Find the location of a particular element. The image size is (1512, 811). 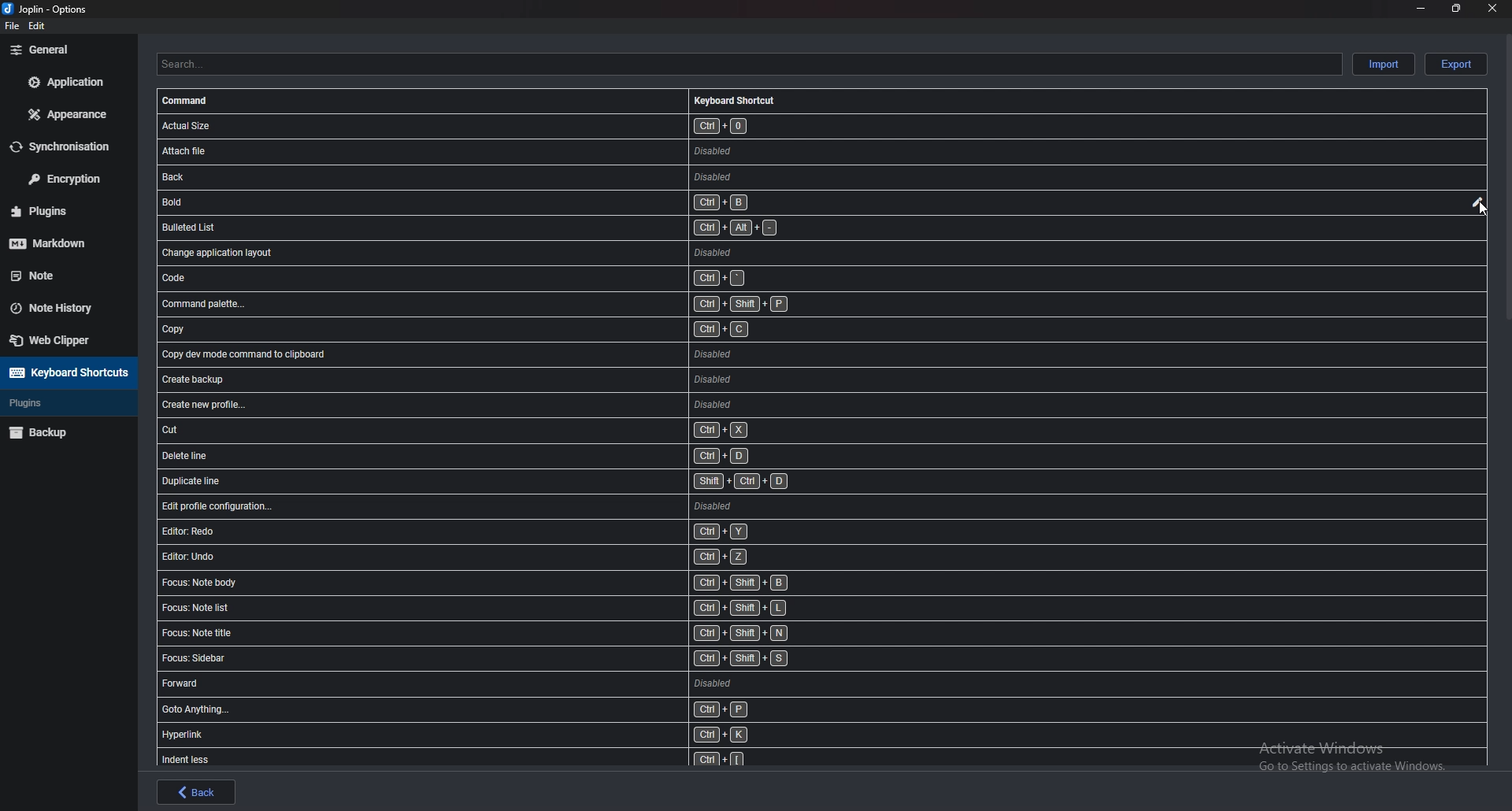

Edit is located at coordinates (1477, 203).